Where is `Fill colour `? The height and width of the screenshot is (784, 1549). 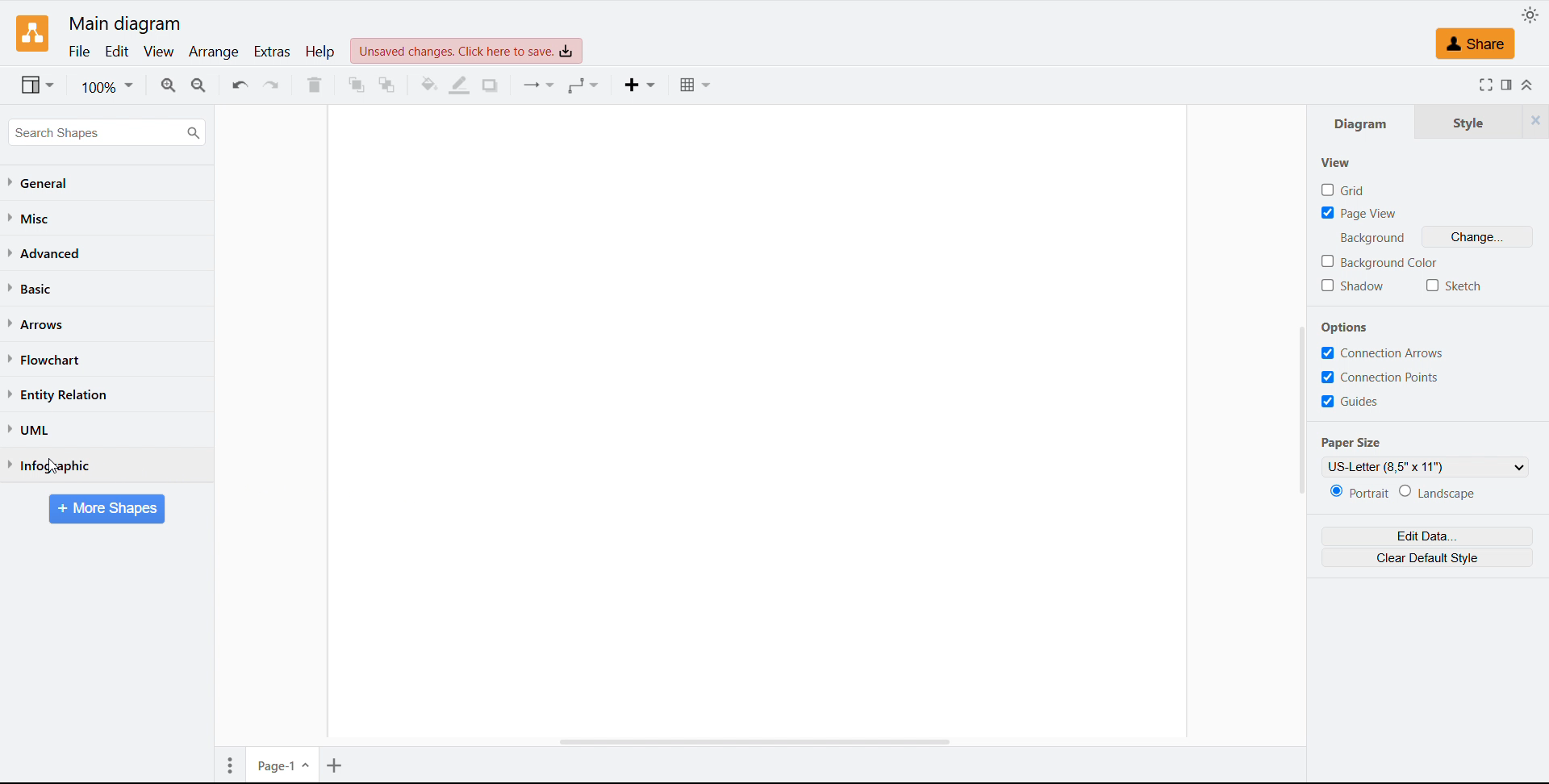
Fill colour  is located at coordinates (428, 84).